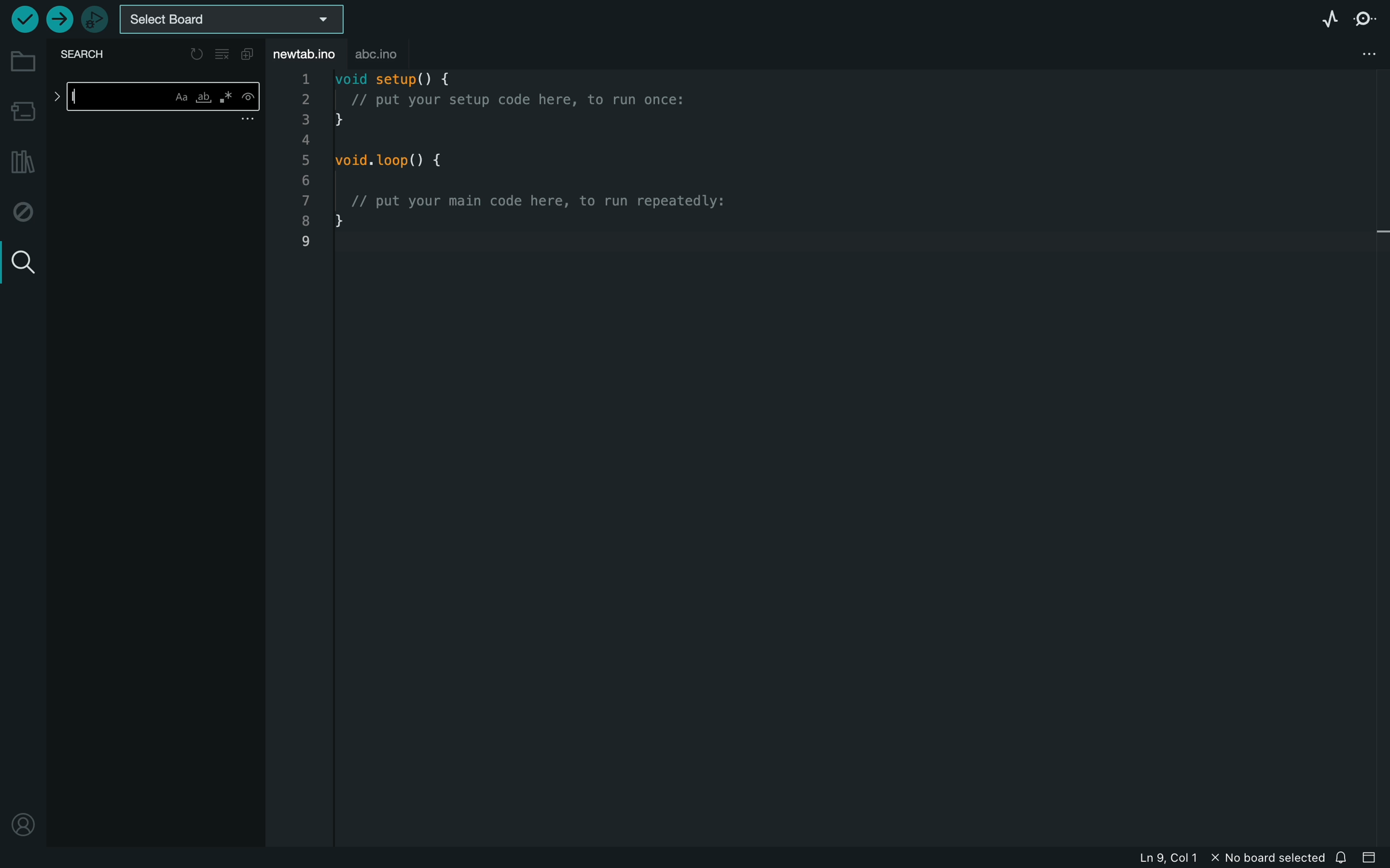 The image size is (1390, 868). What do you see at coordinates (20, 260) in the screenshot?
I see `search` at bounding box center [20, 260].